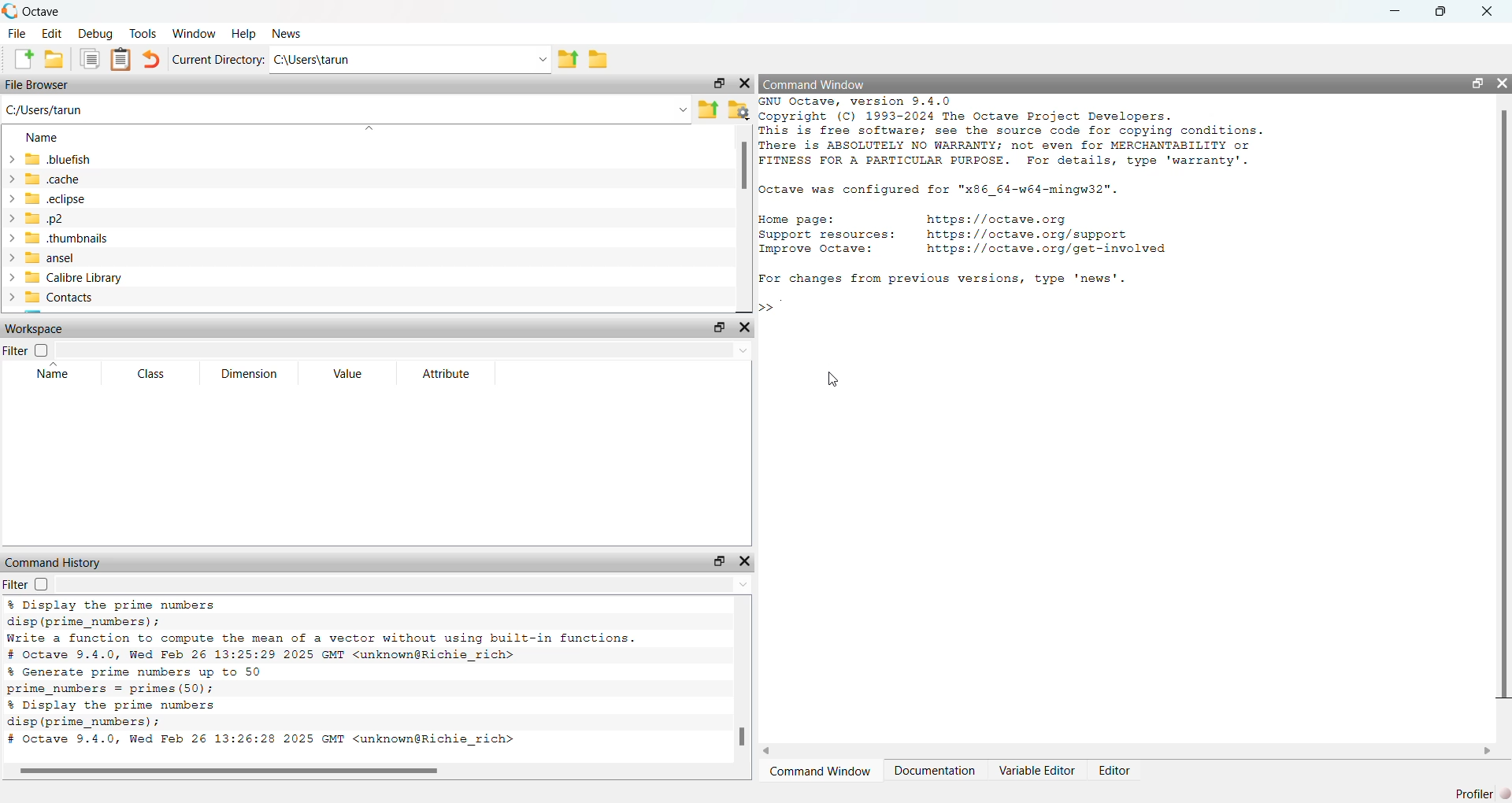 The width and height of the screenshot is (1512, 803). I want to click on cursor, so click(834, 379).